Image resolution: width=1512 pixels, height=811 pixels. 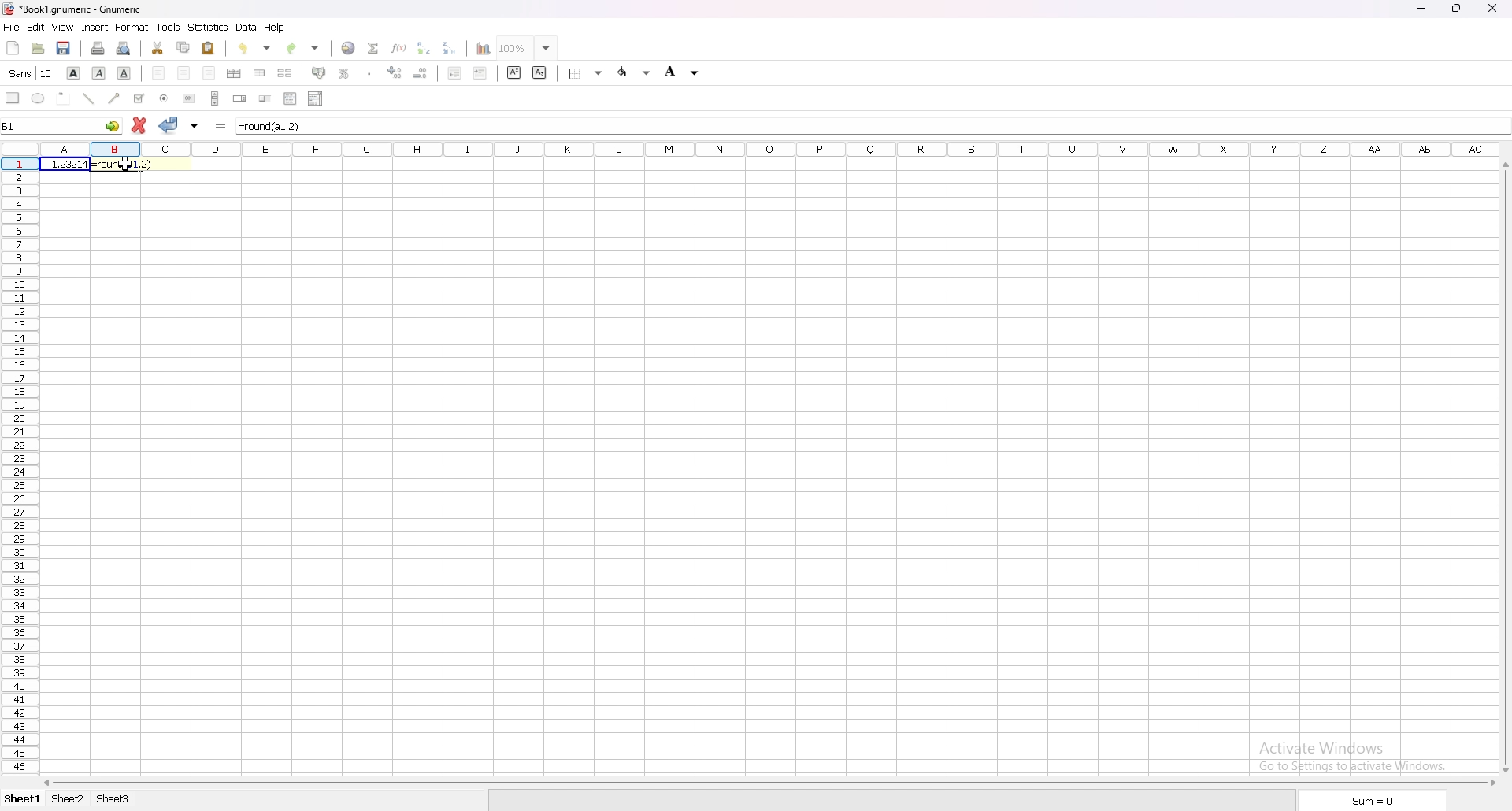 What do you see at coordinates (190, 99) in the screenshot?
I see `button` at bounding box center [190, 99].